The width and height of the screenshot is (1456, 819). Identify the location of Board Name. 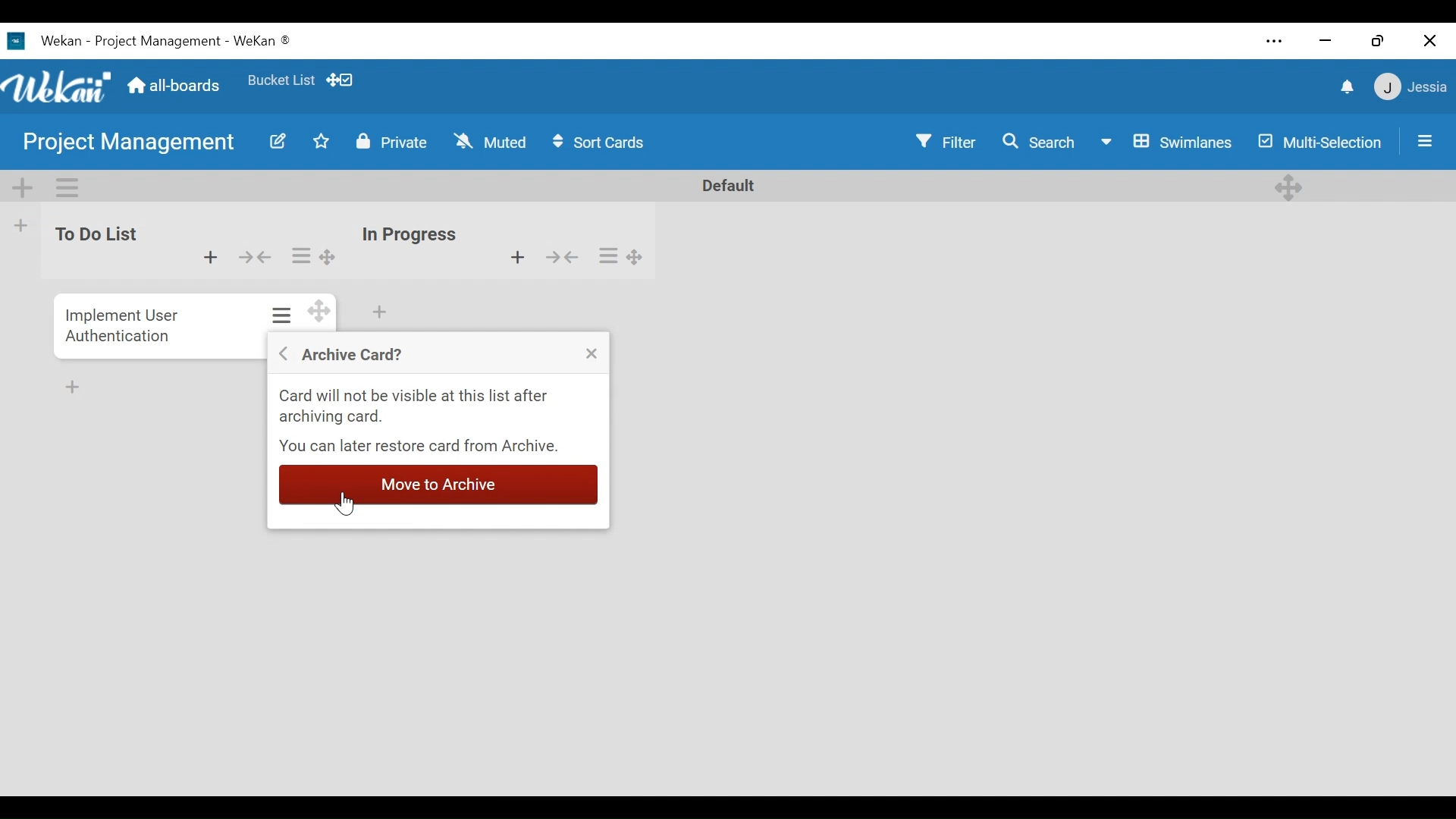
(129, 141).